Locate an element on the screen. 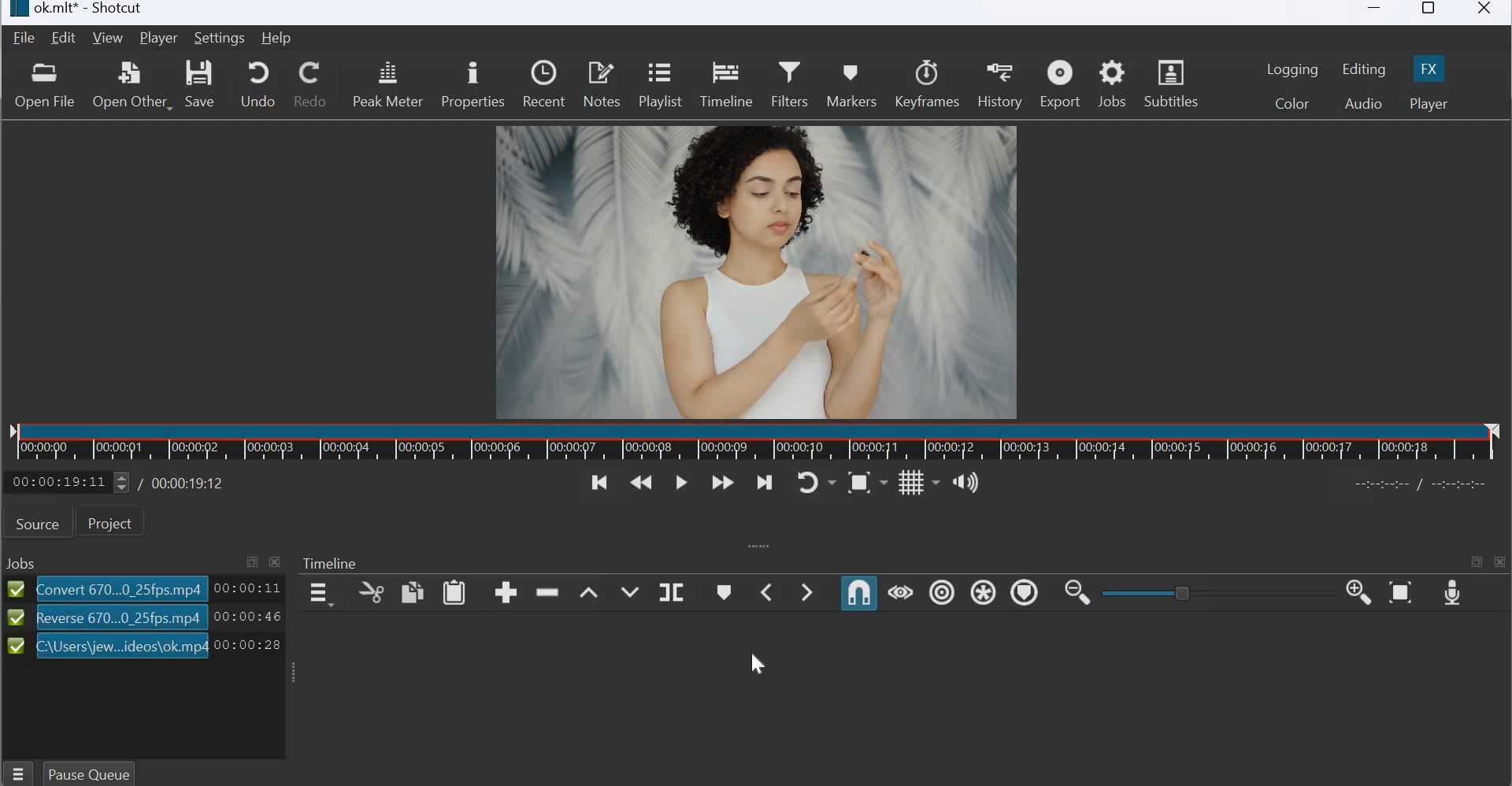  Zoom Timeline in is located at coordinates (1358, 593).